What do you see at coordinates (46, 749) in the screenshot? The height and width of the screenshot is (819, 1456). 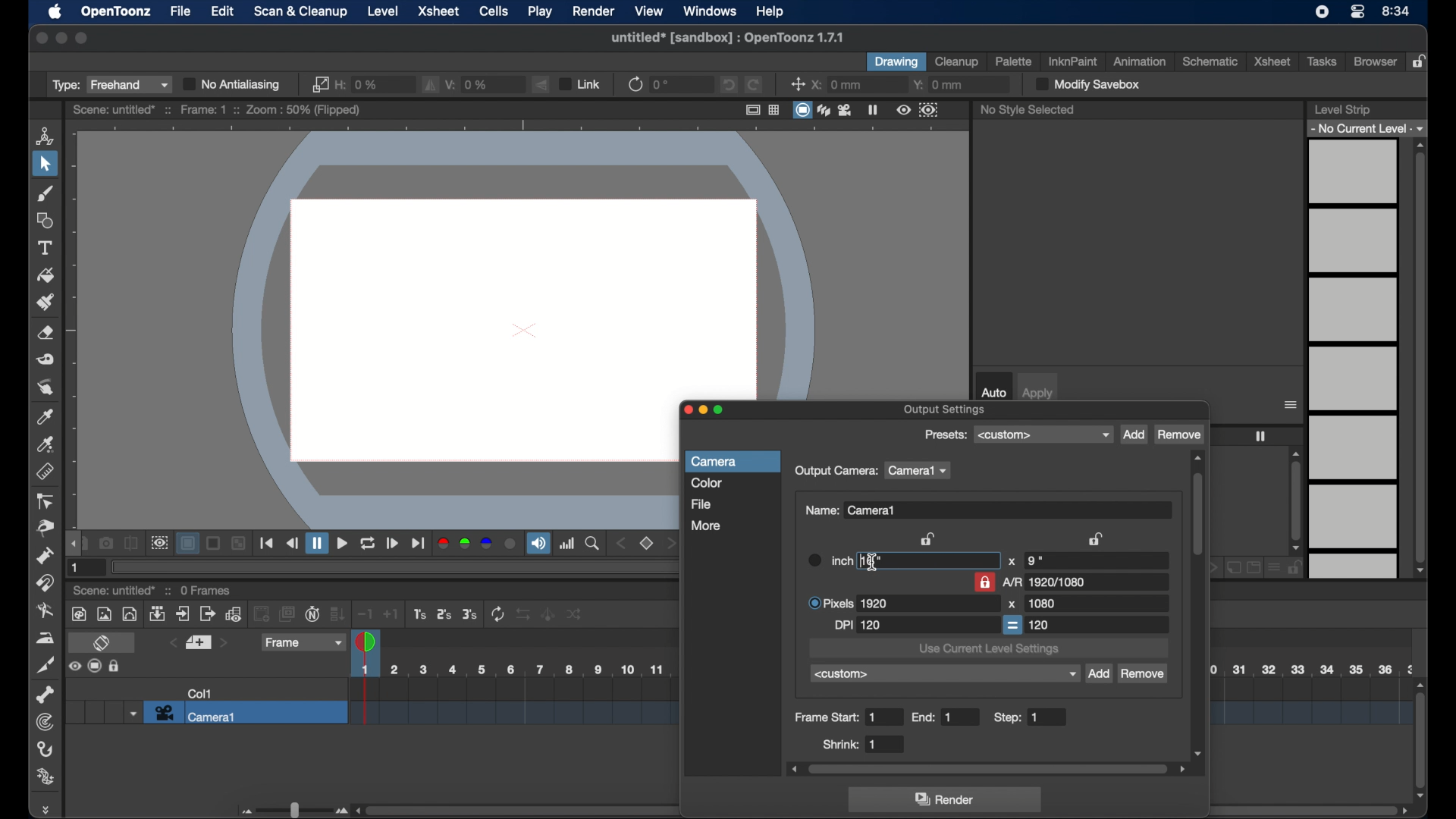 I see `hook tool` at bounding box center [46, 749].